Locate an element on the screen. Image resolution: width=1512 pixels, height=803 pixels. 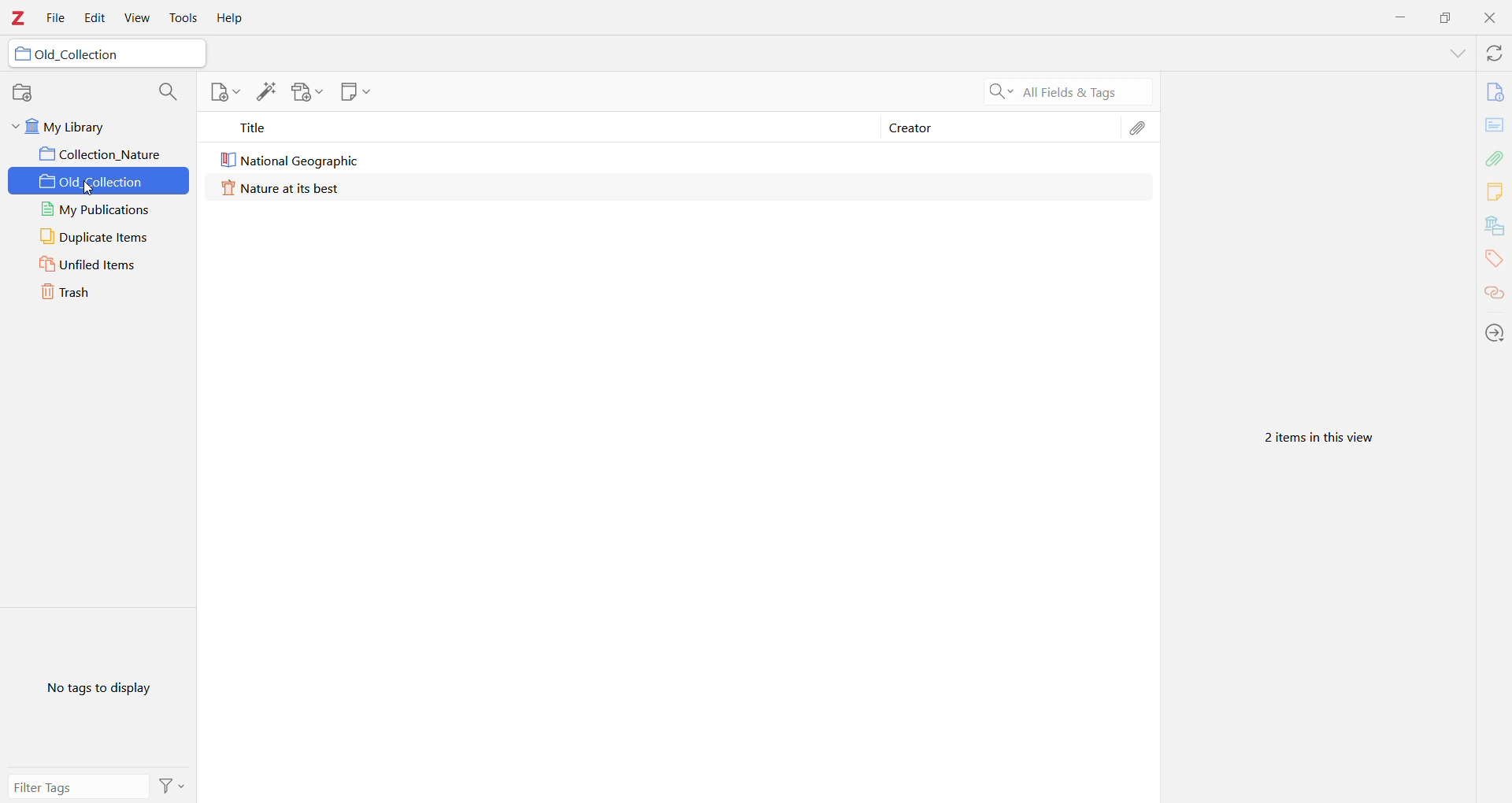
Unfiled Items is located at coordinates (100, 265).